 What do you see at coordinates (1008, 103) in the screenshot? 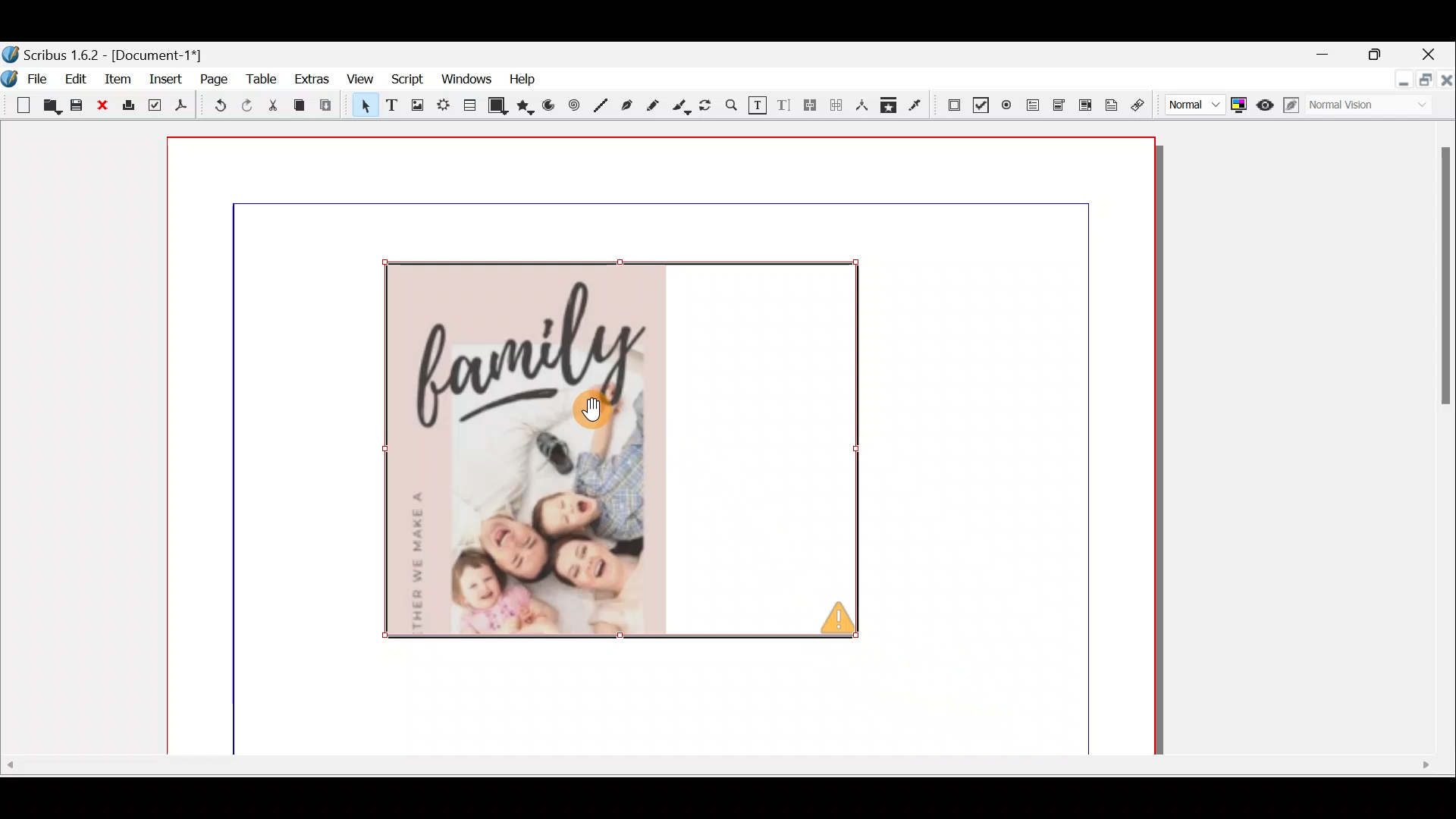
I see `PDF radio button` at bounding box center [1008, 103].